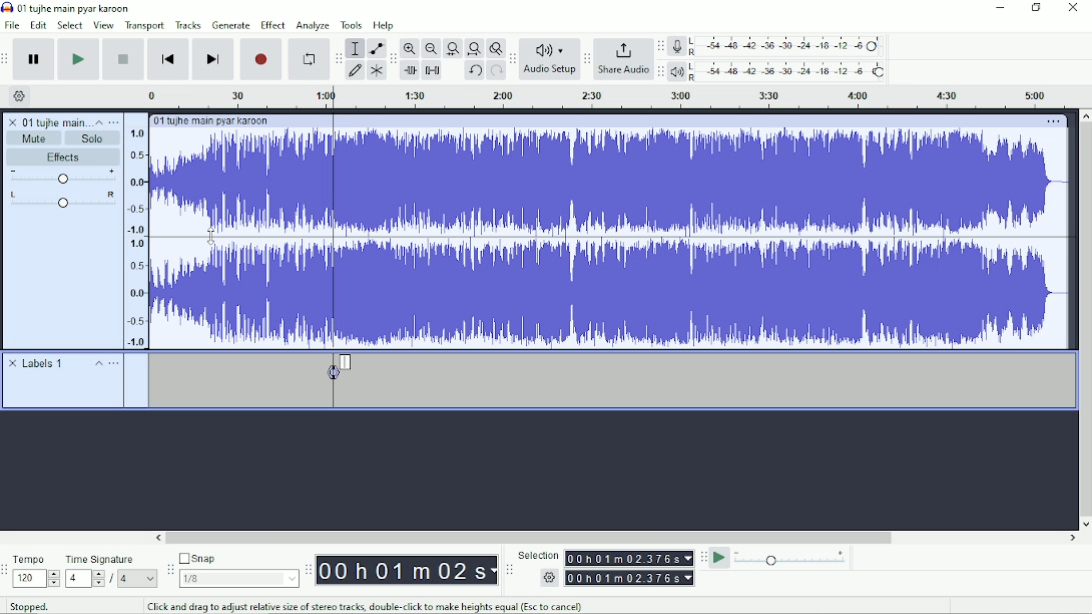  I want to click on Skip to end, so click(213, 59).